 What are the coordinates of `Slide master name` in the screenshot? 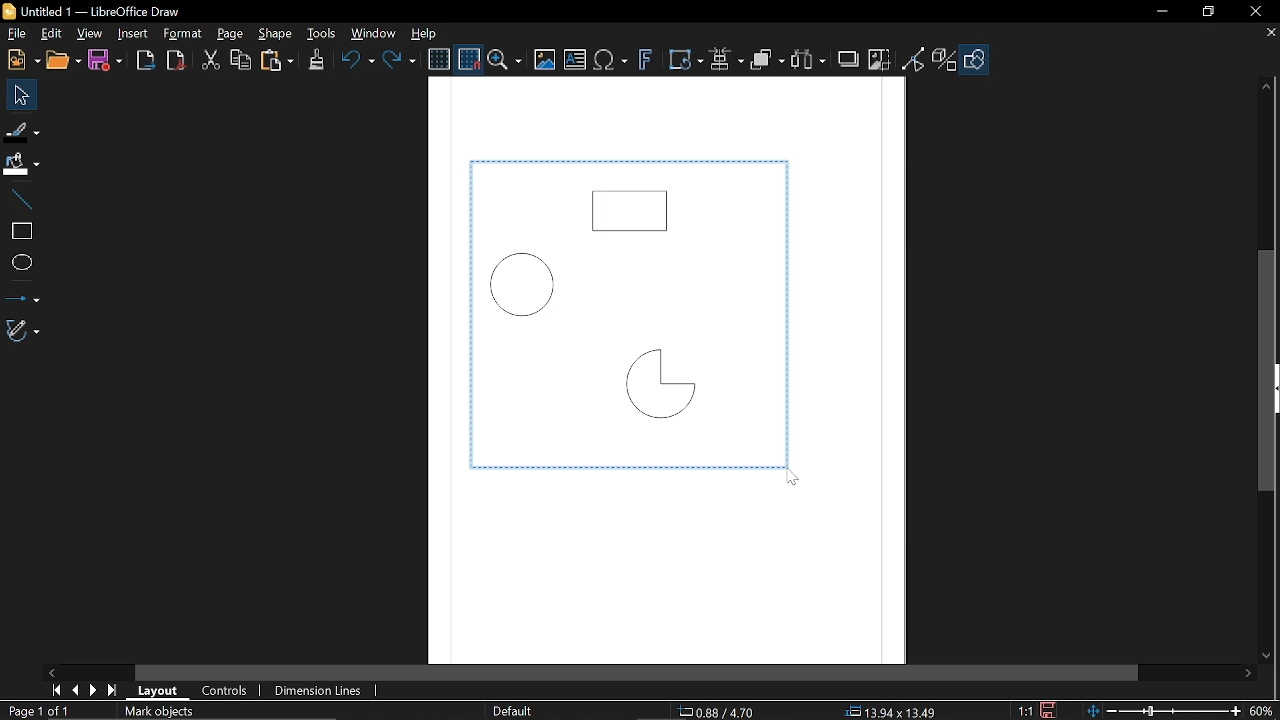 It's located at (510, 711).